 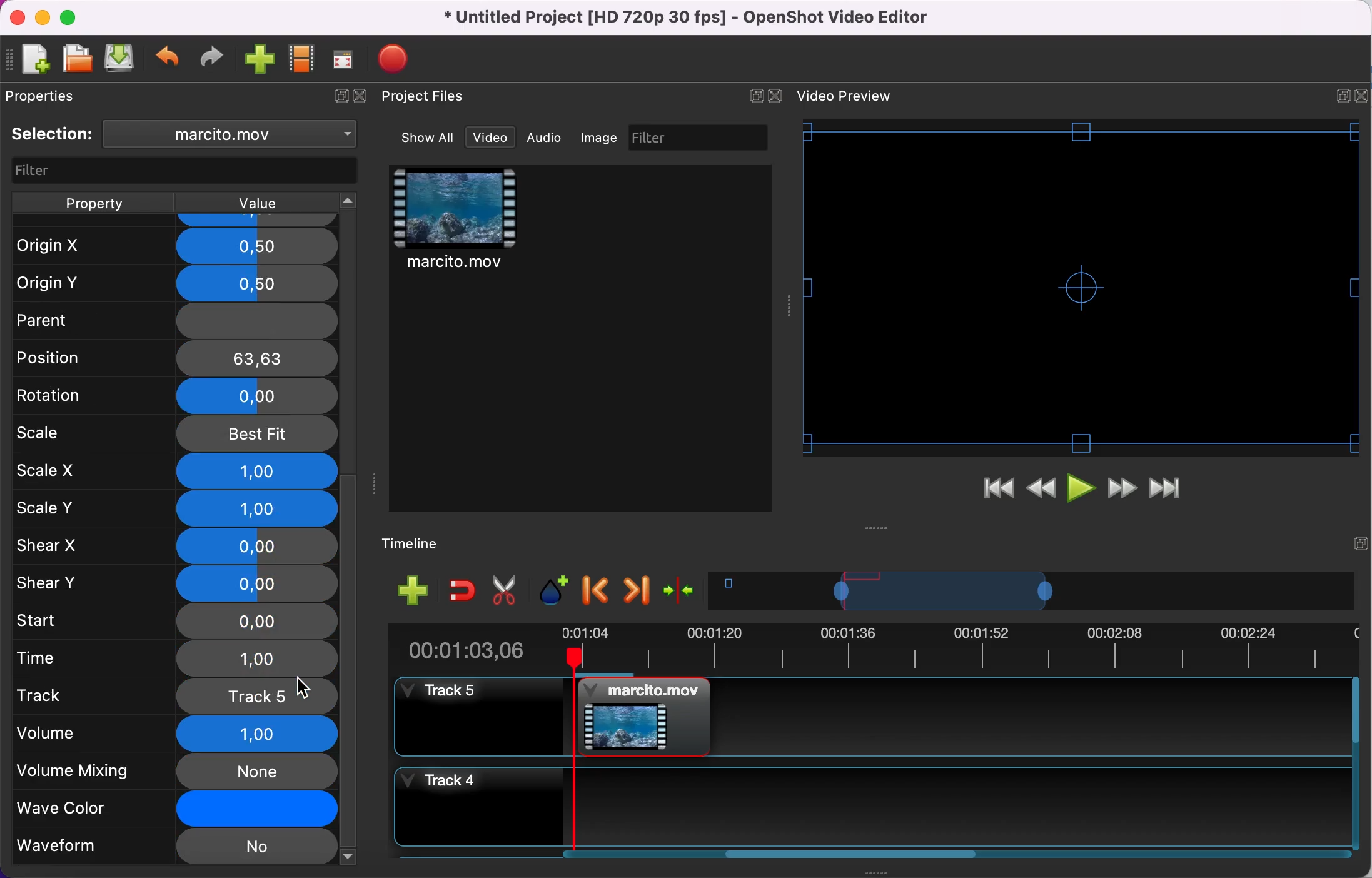 I want to click on filter, so click(x=700, y=137).